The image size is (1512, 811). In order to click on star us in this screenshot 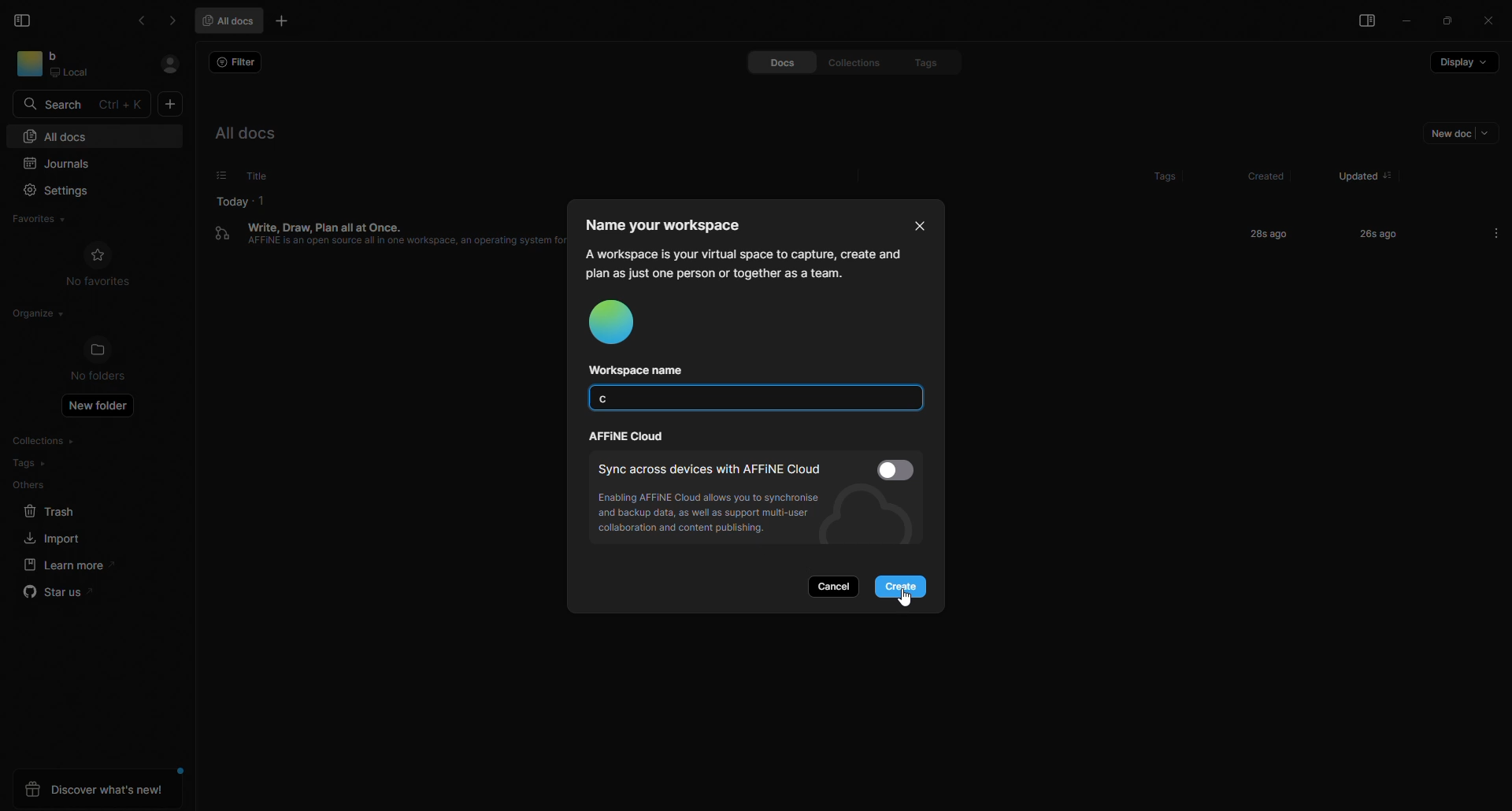, I will do `click(57, 594)`.